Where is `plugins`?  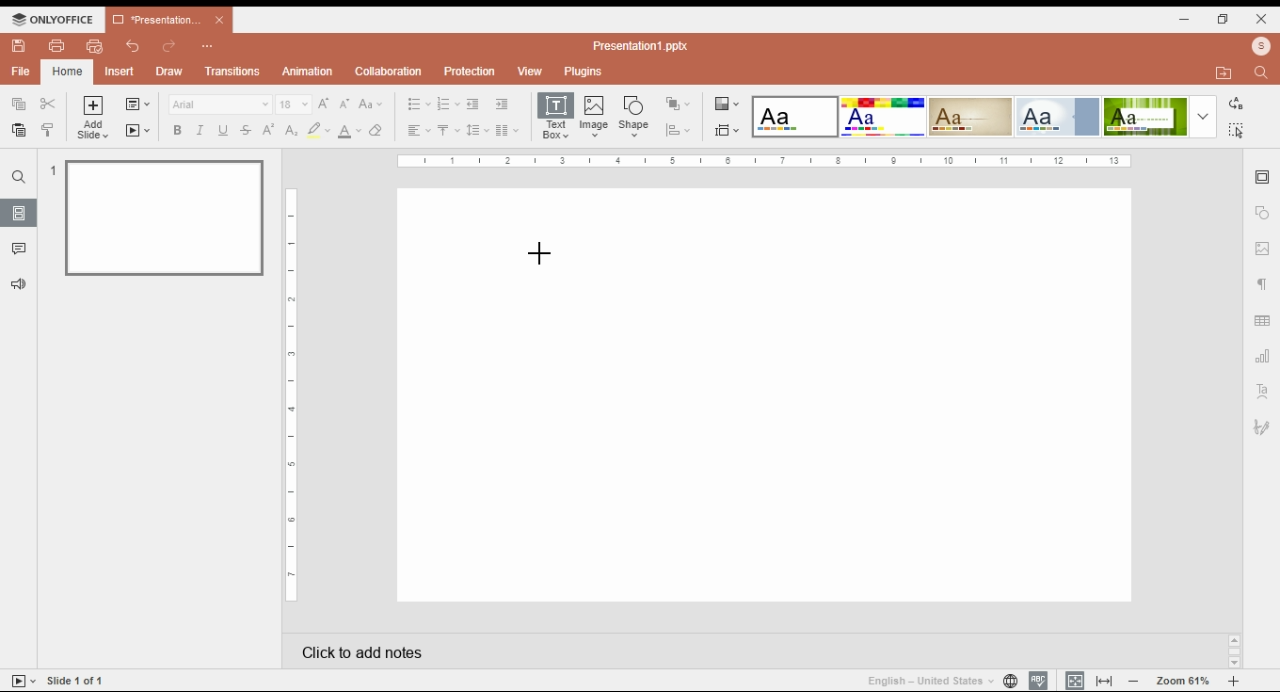
plugins is located at coordinates (582, 71).